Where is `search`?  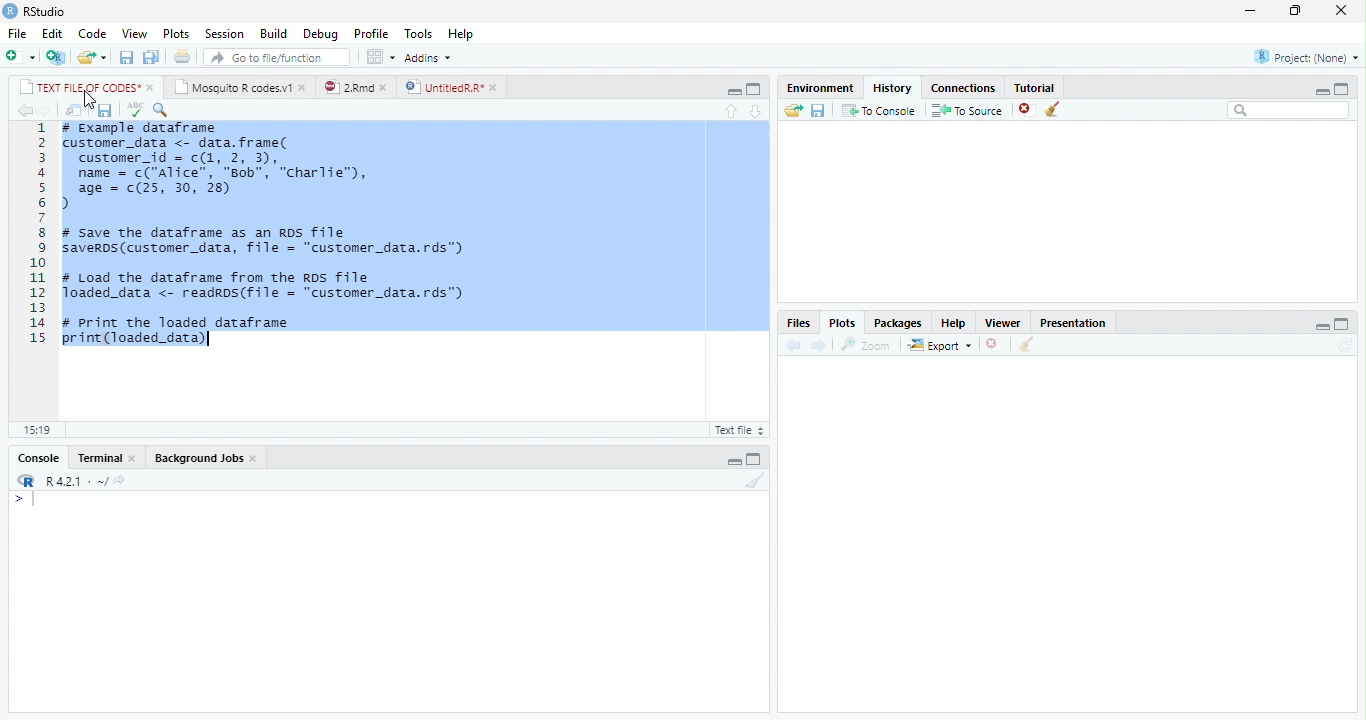 search is located at coordinates (162, 110).